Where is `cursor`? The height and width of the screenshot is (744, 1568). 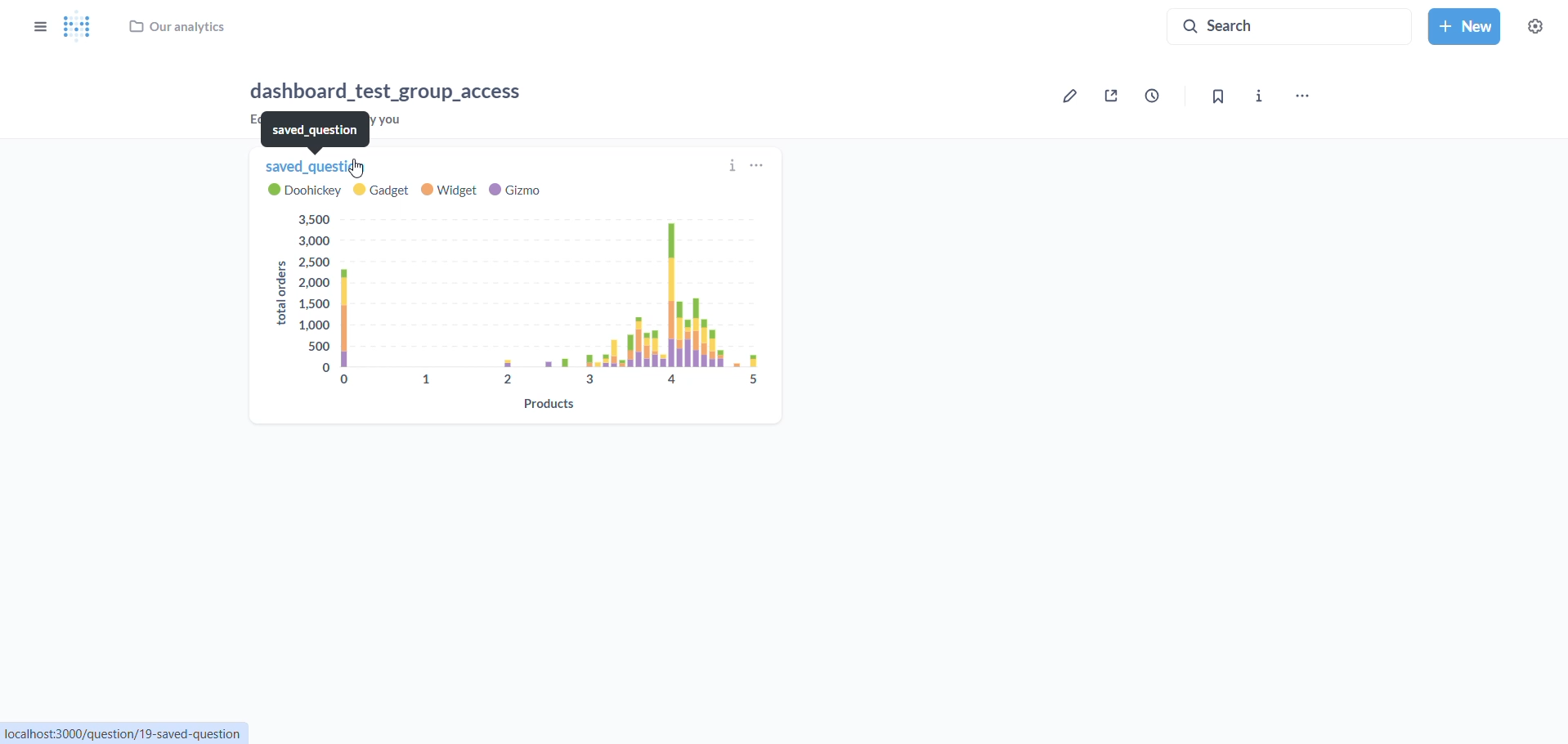 cursor is located at coordinates (358, 168).